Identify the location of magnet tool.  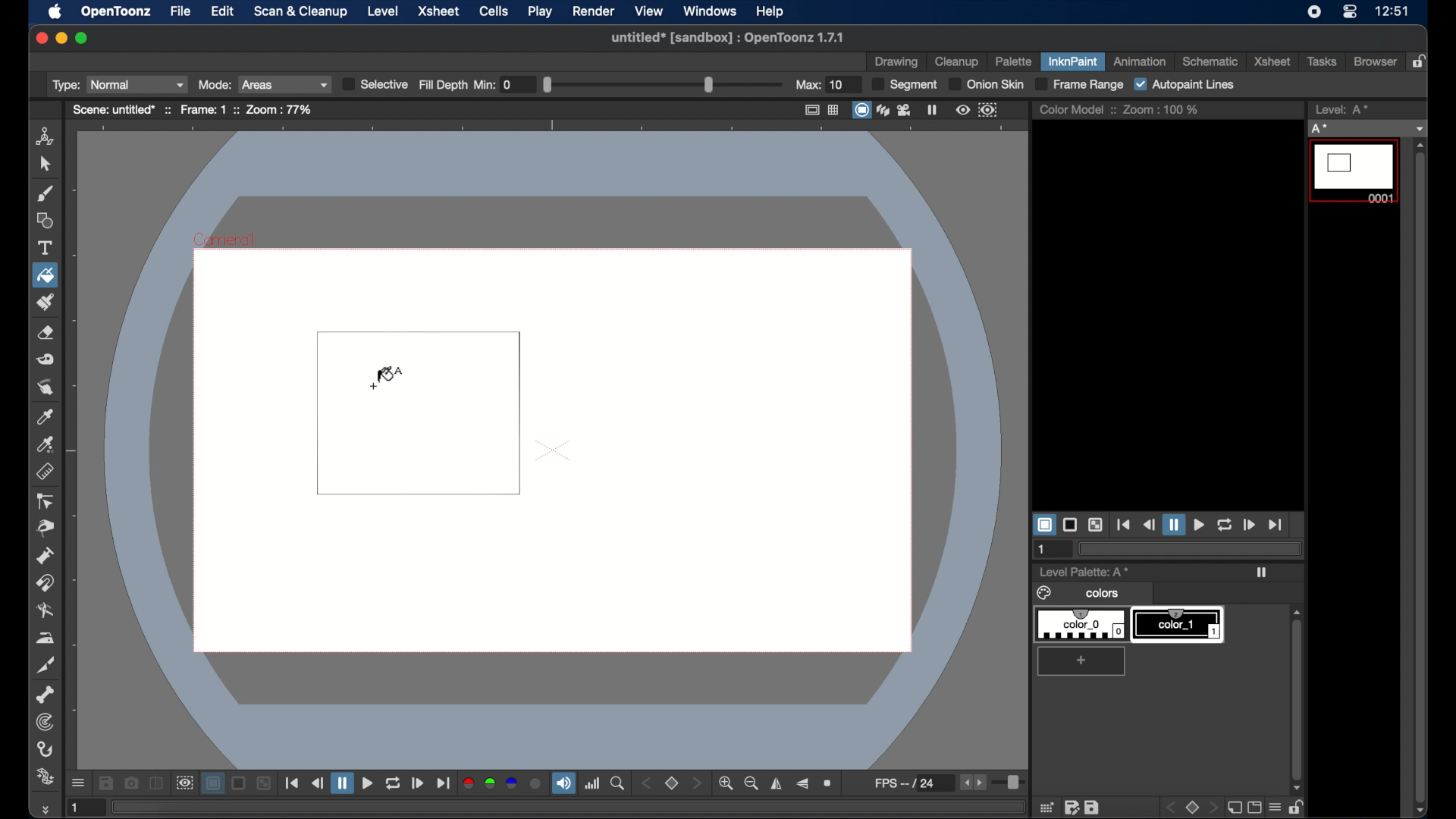
(45, 583).